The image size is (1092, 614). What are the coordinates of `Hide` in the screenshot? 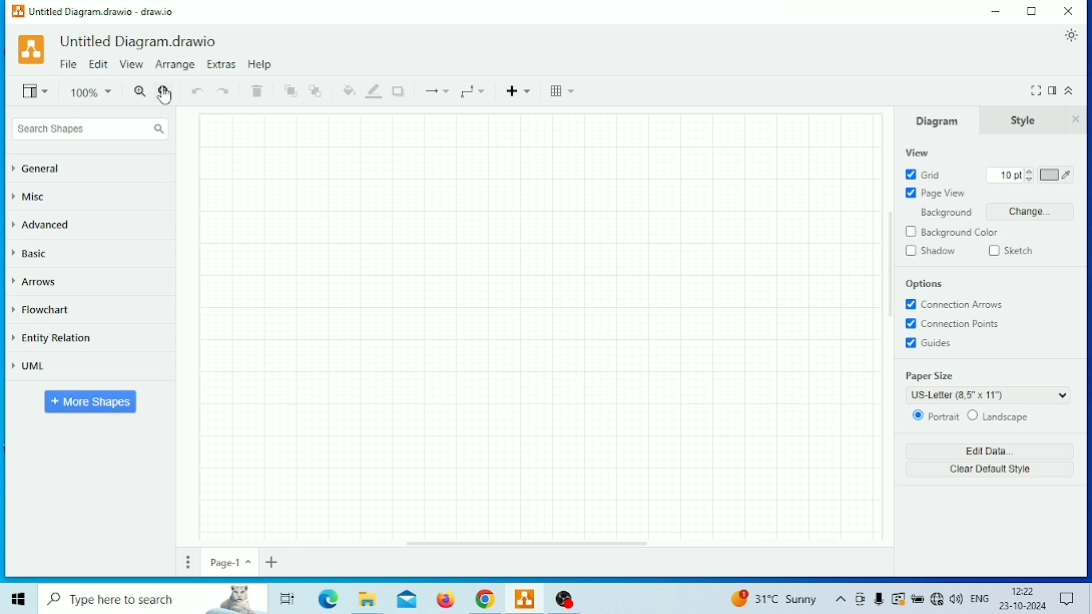 It's located at (1078, 119).